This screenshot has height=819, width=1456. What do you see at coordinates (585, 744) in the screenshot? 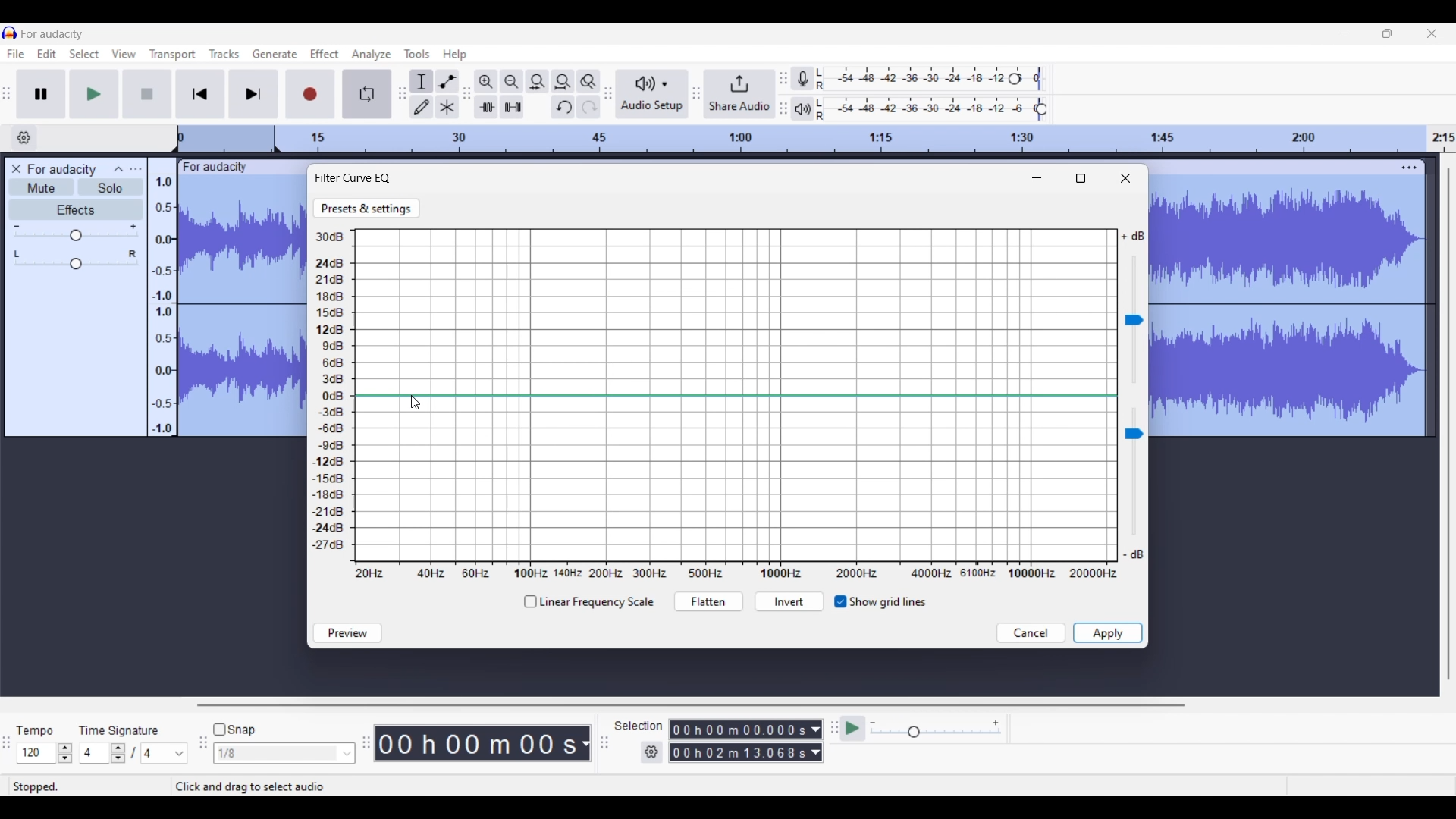
I see `Audio record duration` at bounding box center [585, 744].